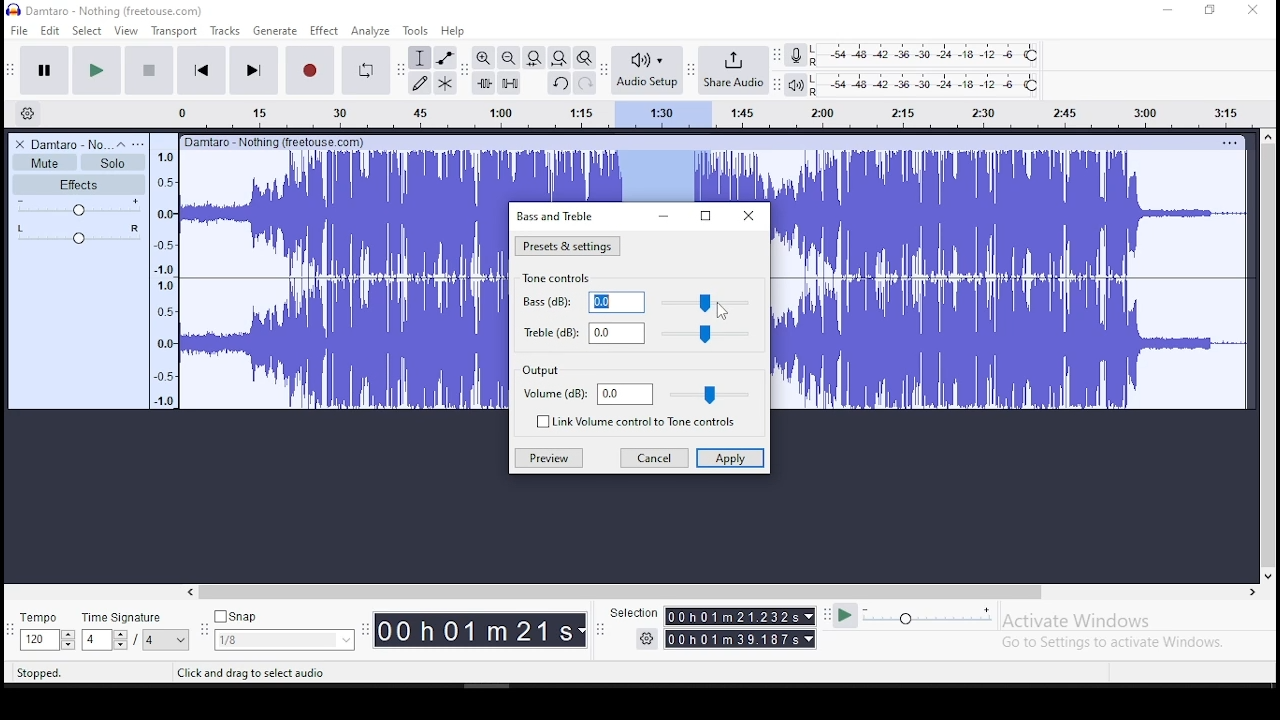 This screenshot has width=1280, height=720. I want to click on , so click(11, 68).